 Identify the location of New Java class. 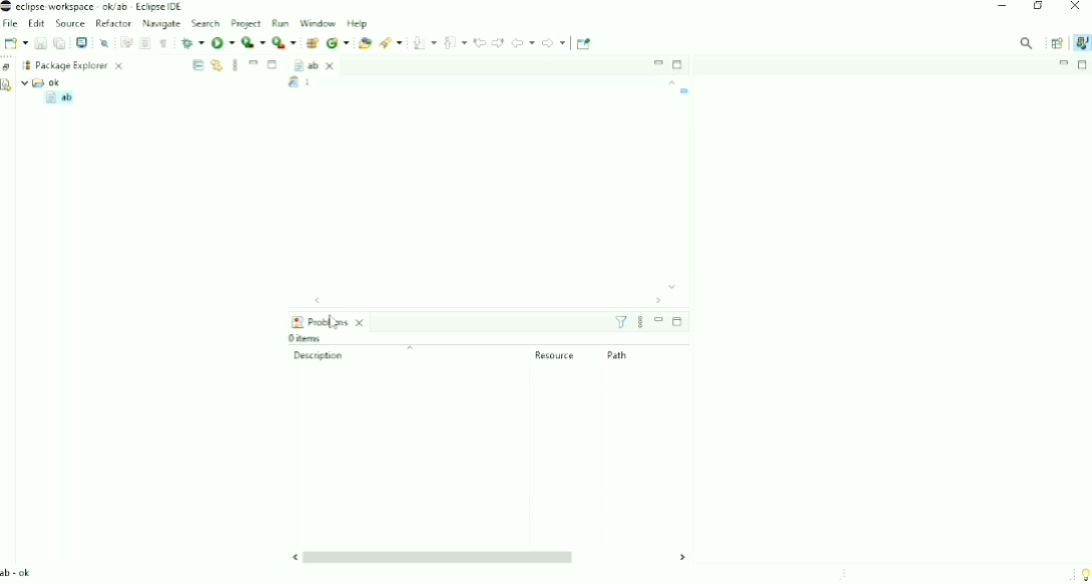
(338, 43).